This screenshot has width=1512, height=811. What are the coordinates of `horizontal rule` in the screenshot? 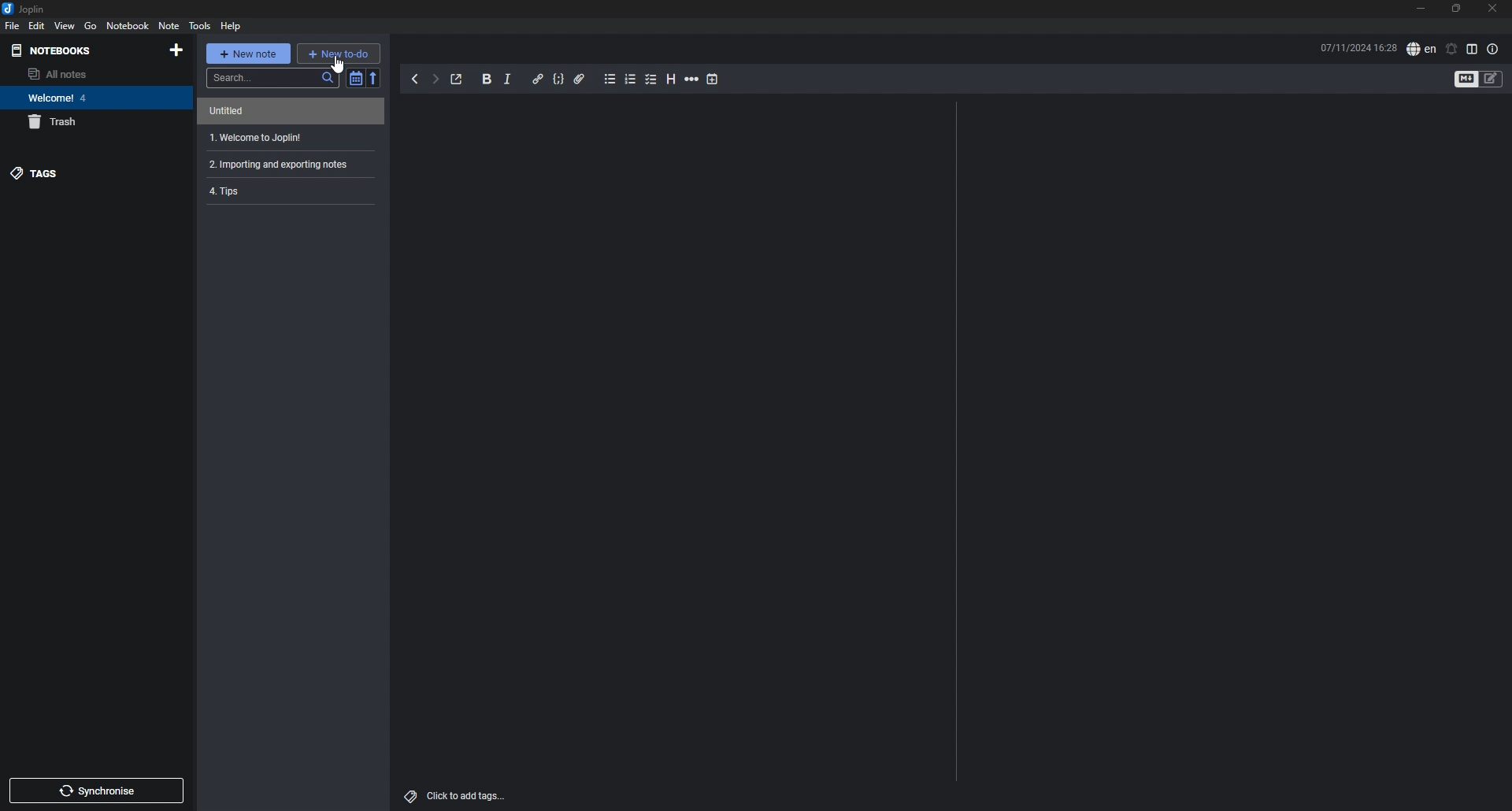 It's located at (693, 79).